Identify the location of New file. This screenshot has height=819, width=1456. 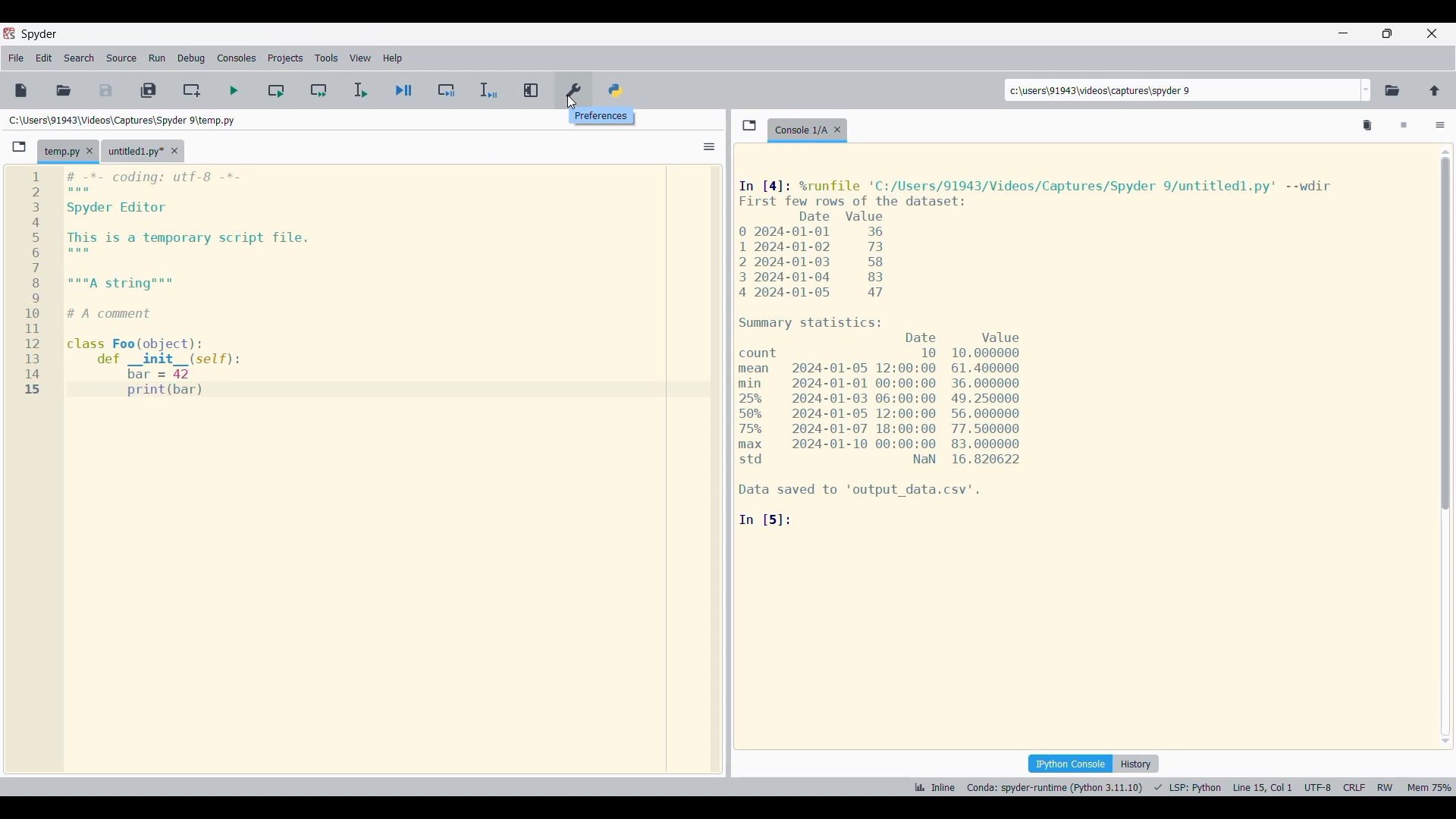
(20, 91).